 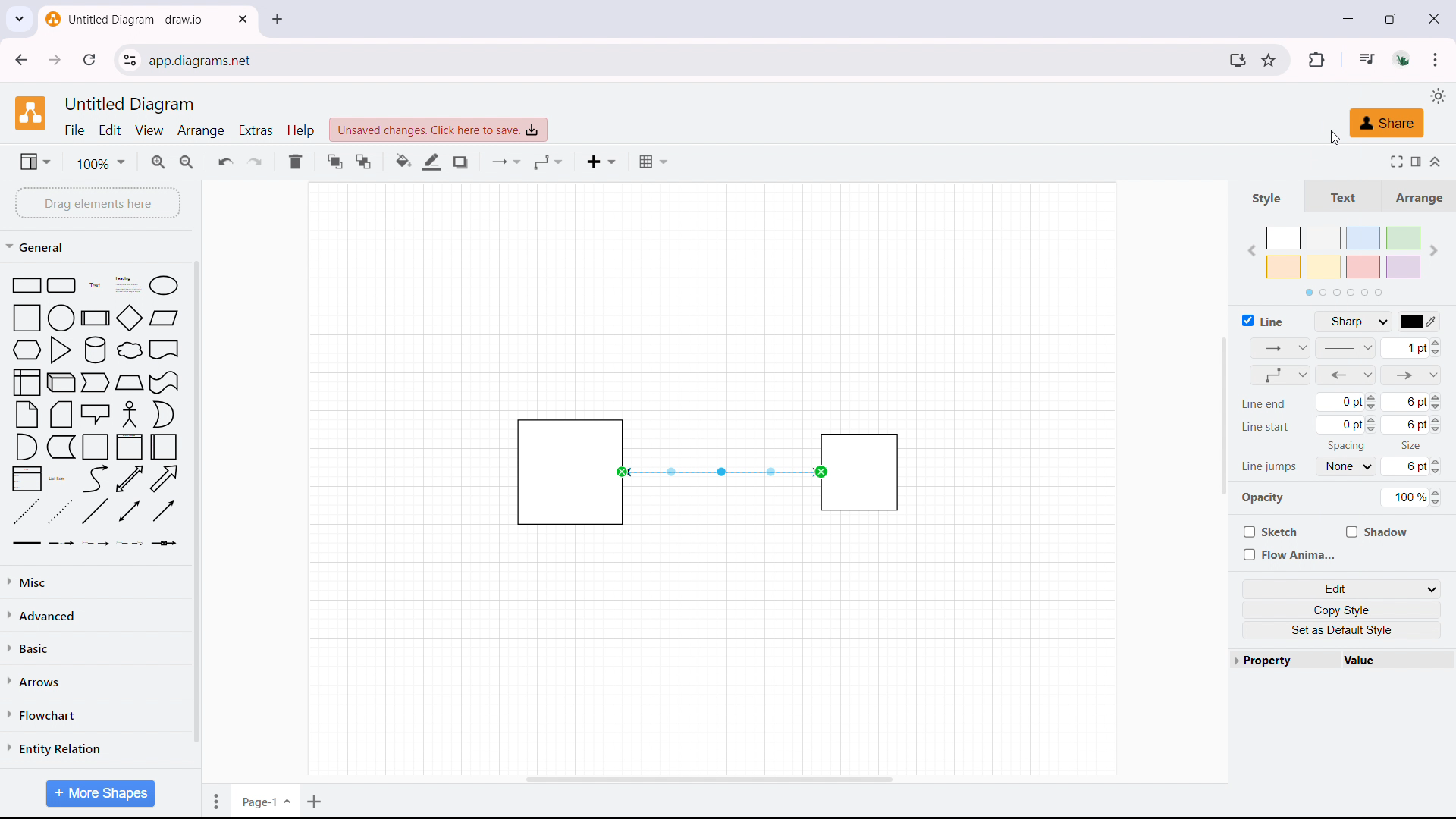 What do you see at coordinates (1411, 466) in the screenshot?
I see `line jump size` at bounding box center [1411, 466].